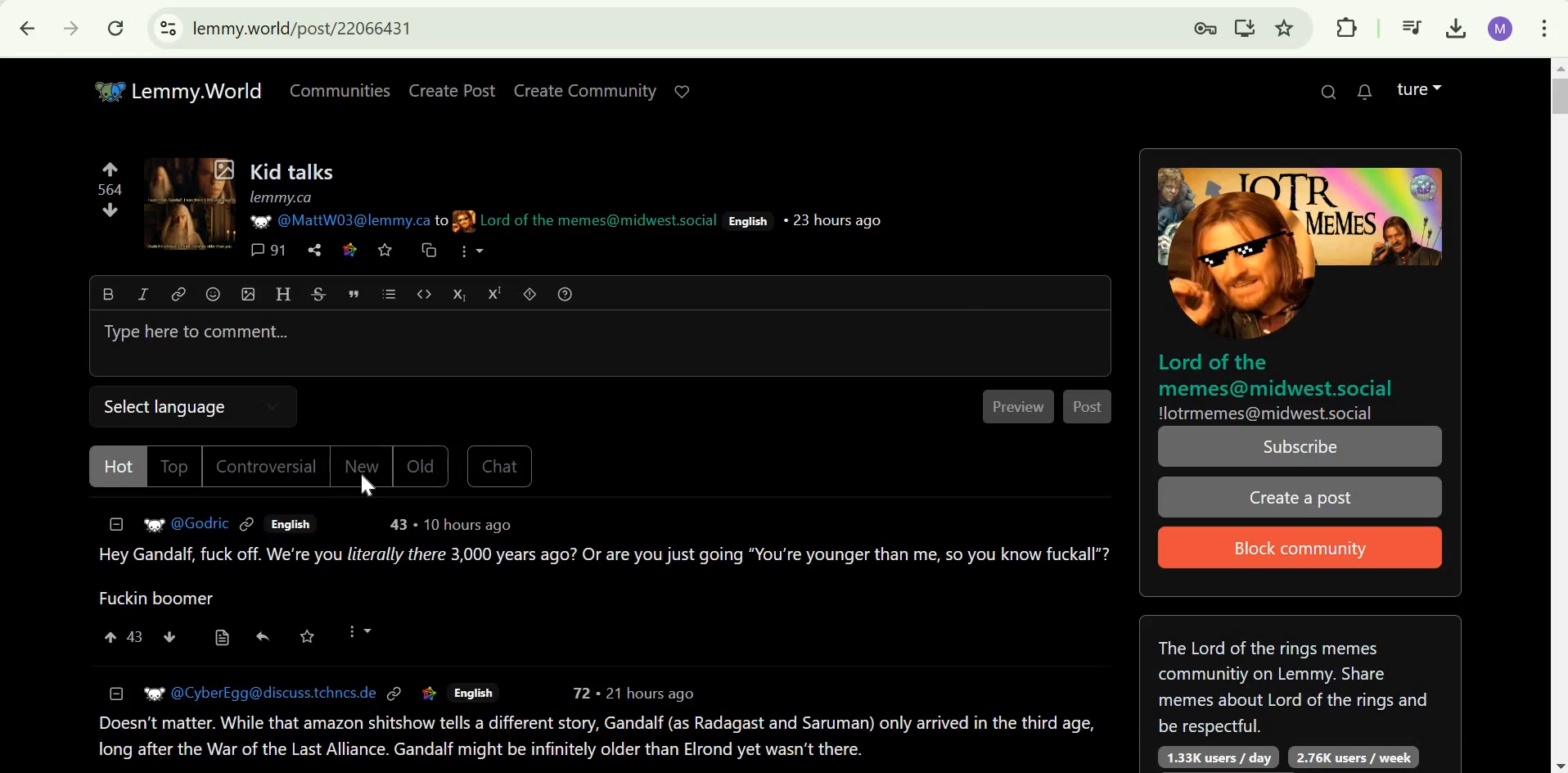 The width and height of the screenshot is (1568, 773). I want to click on picture, so click(463, 221).